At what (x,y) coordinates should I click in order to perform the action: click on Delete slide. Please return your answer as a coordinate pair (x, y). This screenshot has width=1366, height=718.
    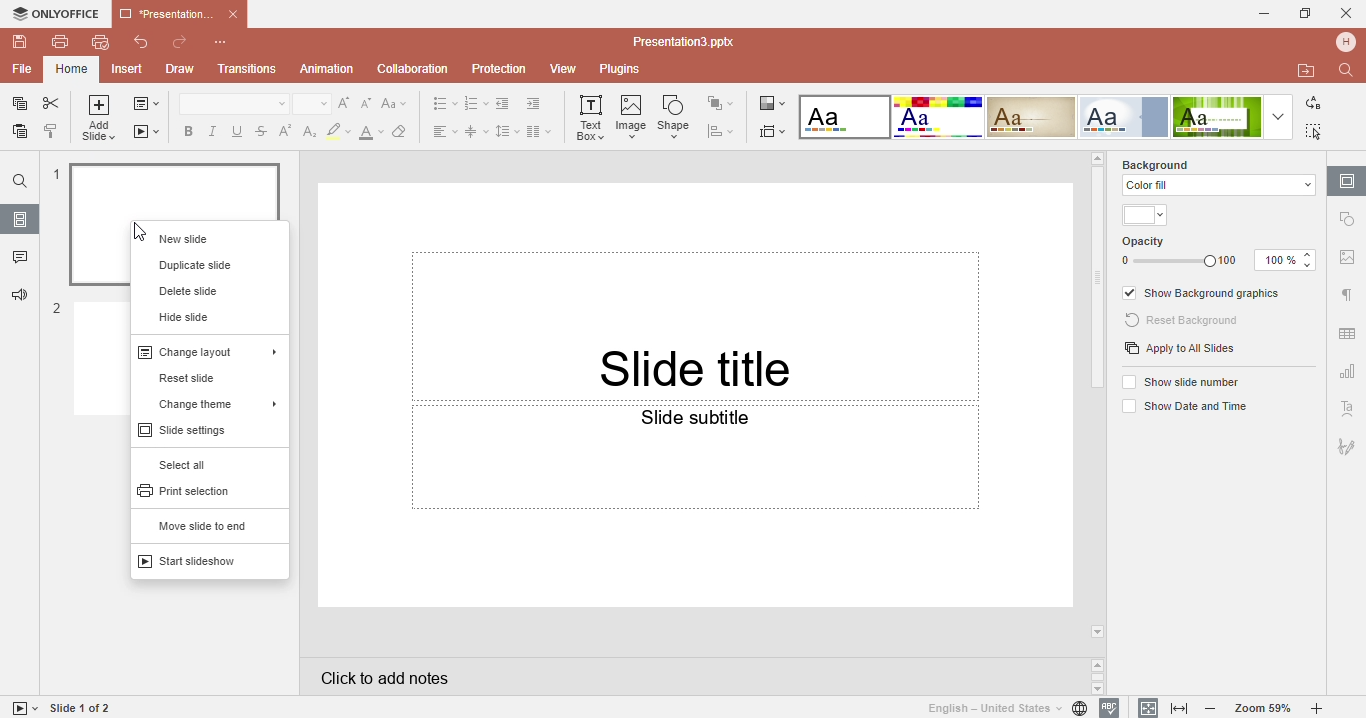
    Looking at the image, I should click on (191, 290).